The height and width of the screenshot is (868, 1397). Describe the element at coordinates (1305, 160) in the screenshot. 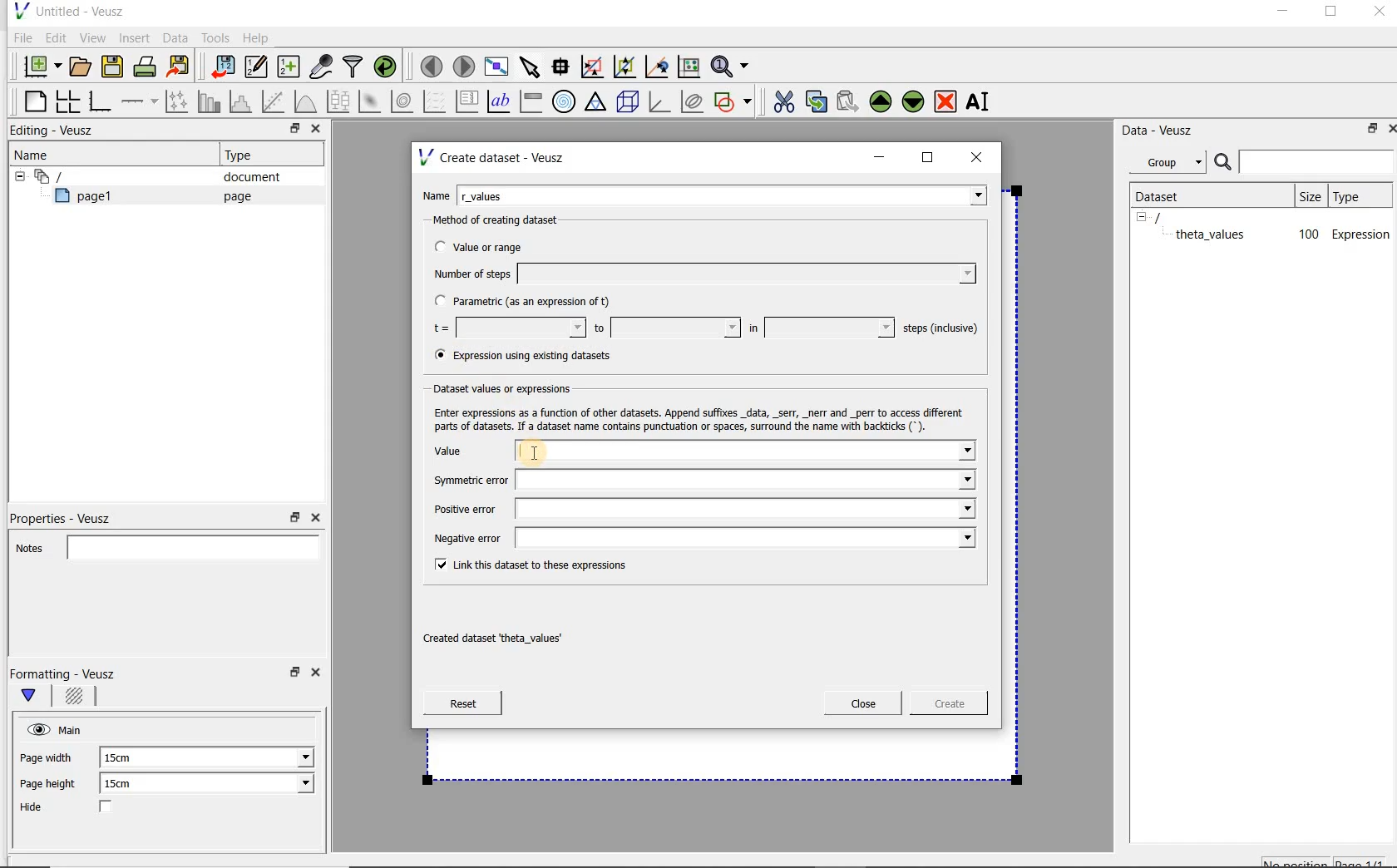

I see `Search bar` at that location.